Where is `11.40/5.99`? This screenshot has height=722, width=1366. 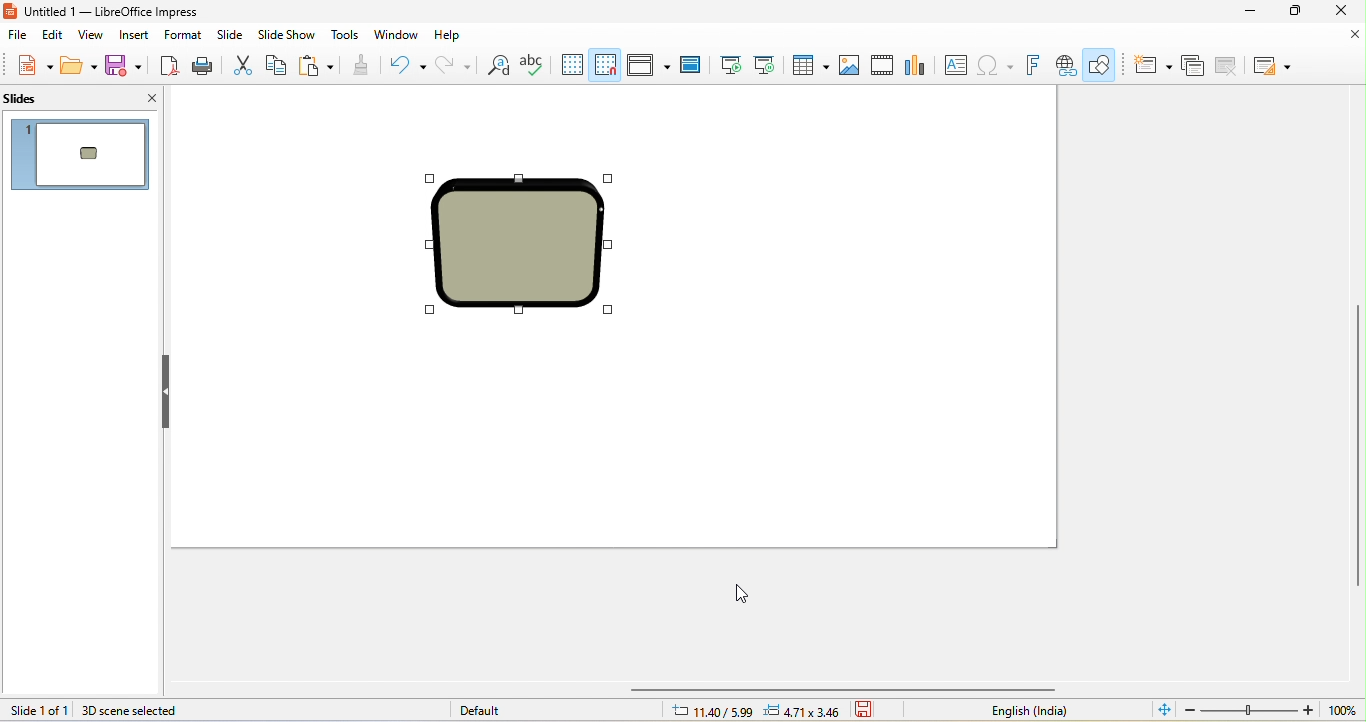 11.40/5.99 is located at coordinates (711, 710).